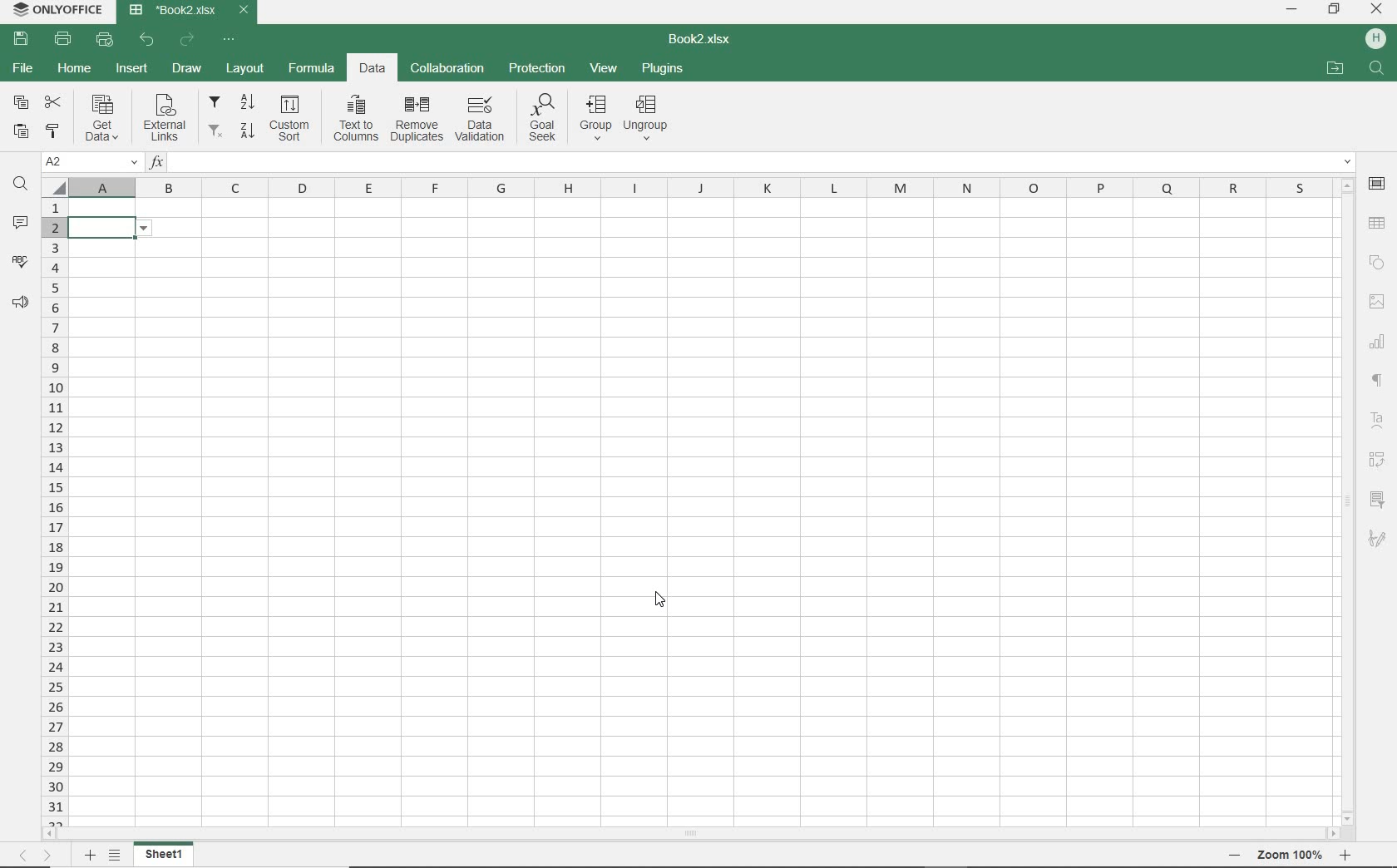 The height and width of the screenshot is (868, 1397). I want to click on CUSTOMIZE QUICK ACCESS TOOLBAR, so click(230, 41).